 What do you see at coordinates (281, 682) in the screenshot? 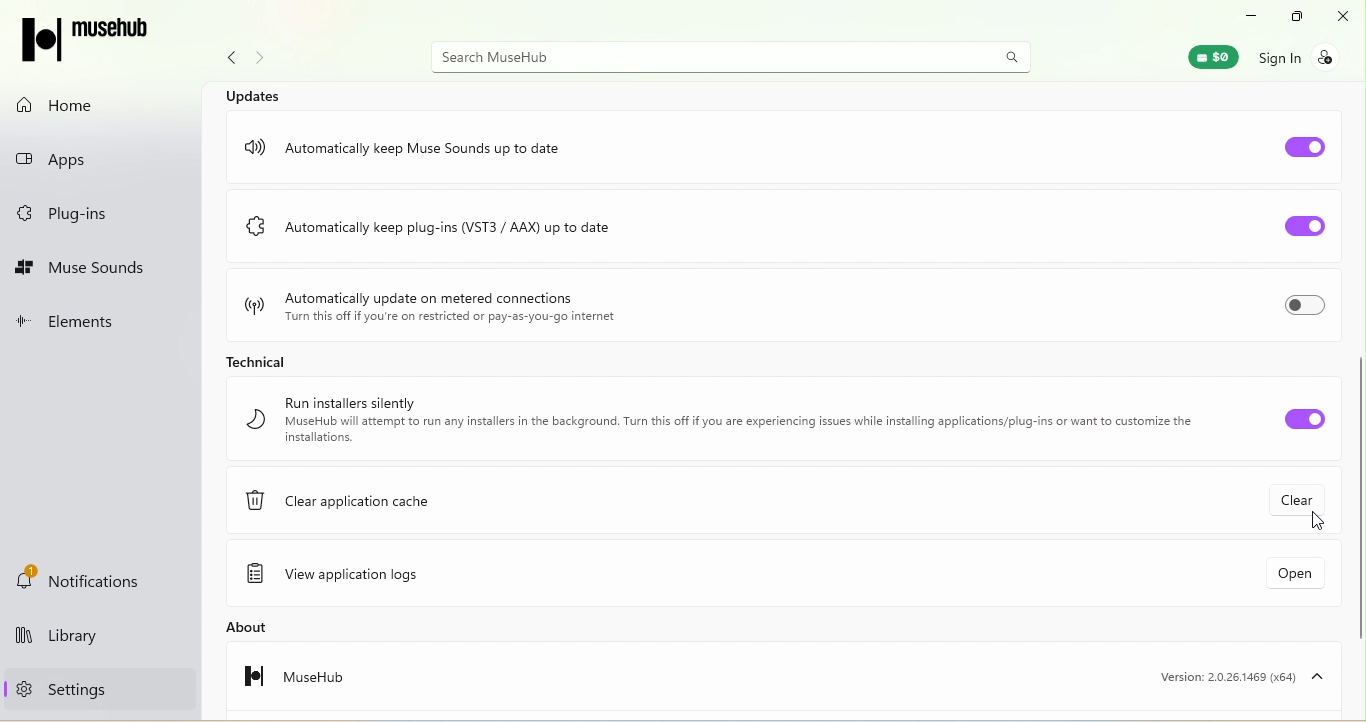
I see `Musehub` at bounding box center [281, 682].